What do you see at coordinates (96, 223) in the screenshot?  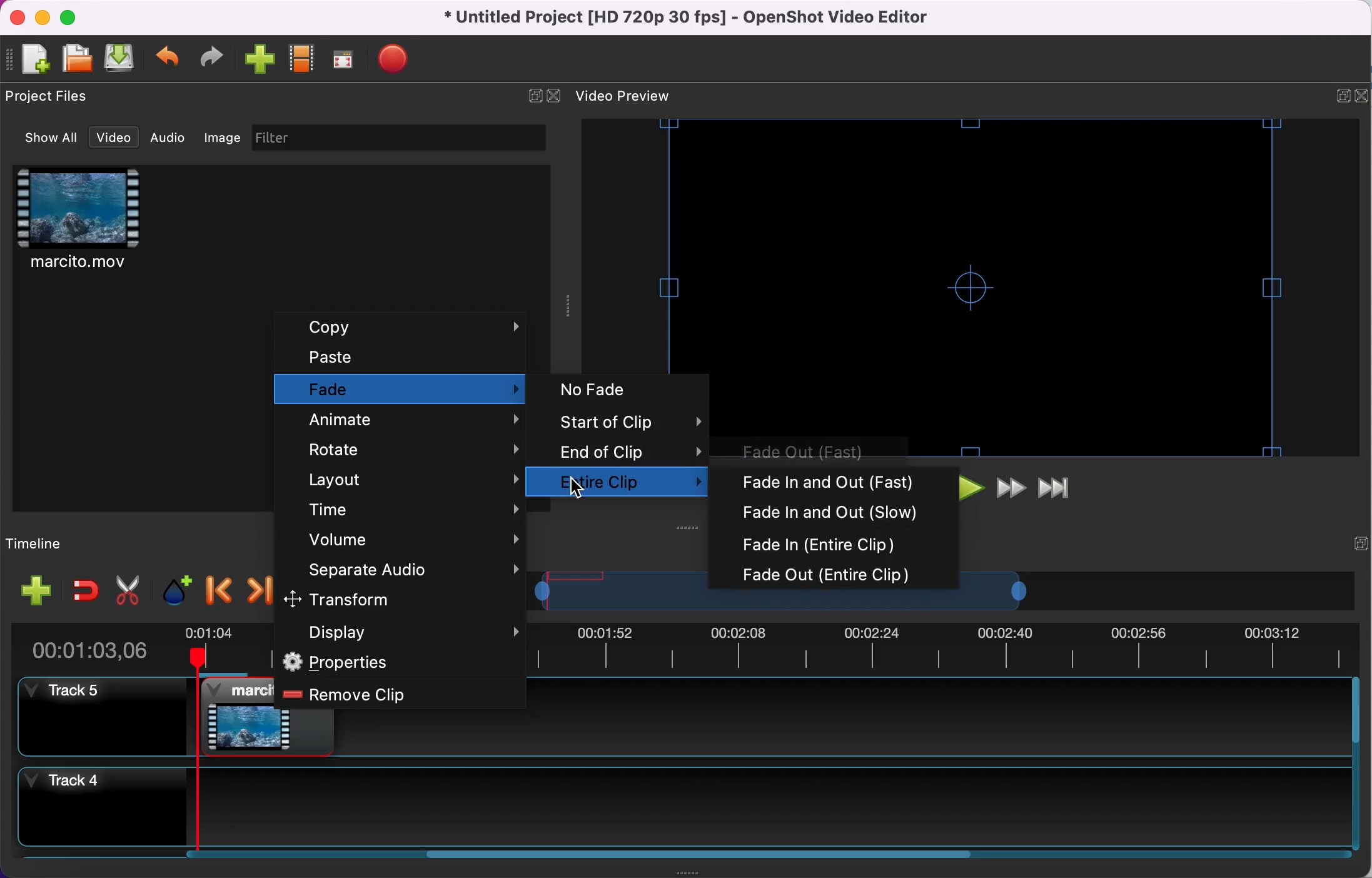 I see `clip` at bounding box center [96, 223].